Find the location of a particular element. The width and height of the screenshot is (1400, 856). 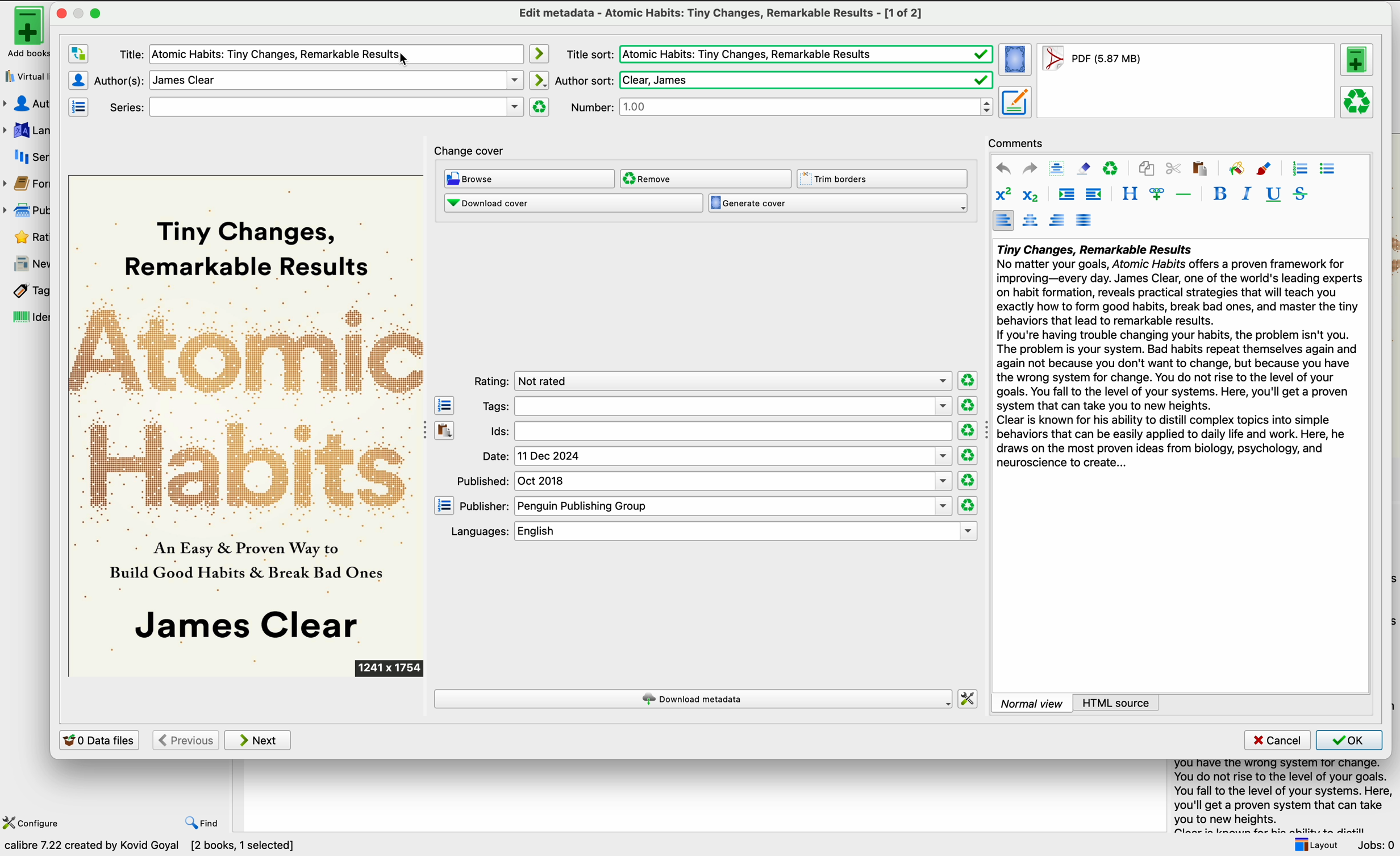

virtual library is located at coordinates (24, 76).